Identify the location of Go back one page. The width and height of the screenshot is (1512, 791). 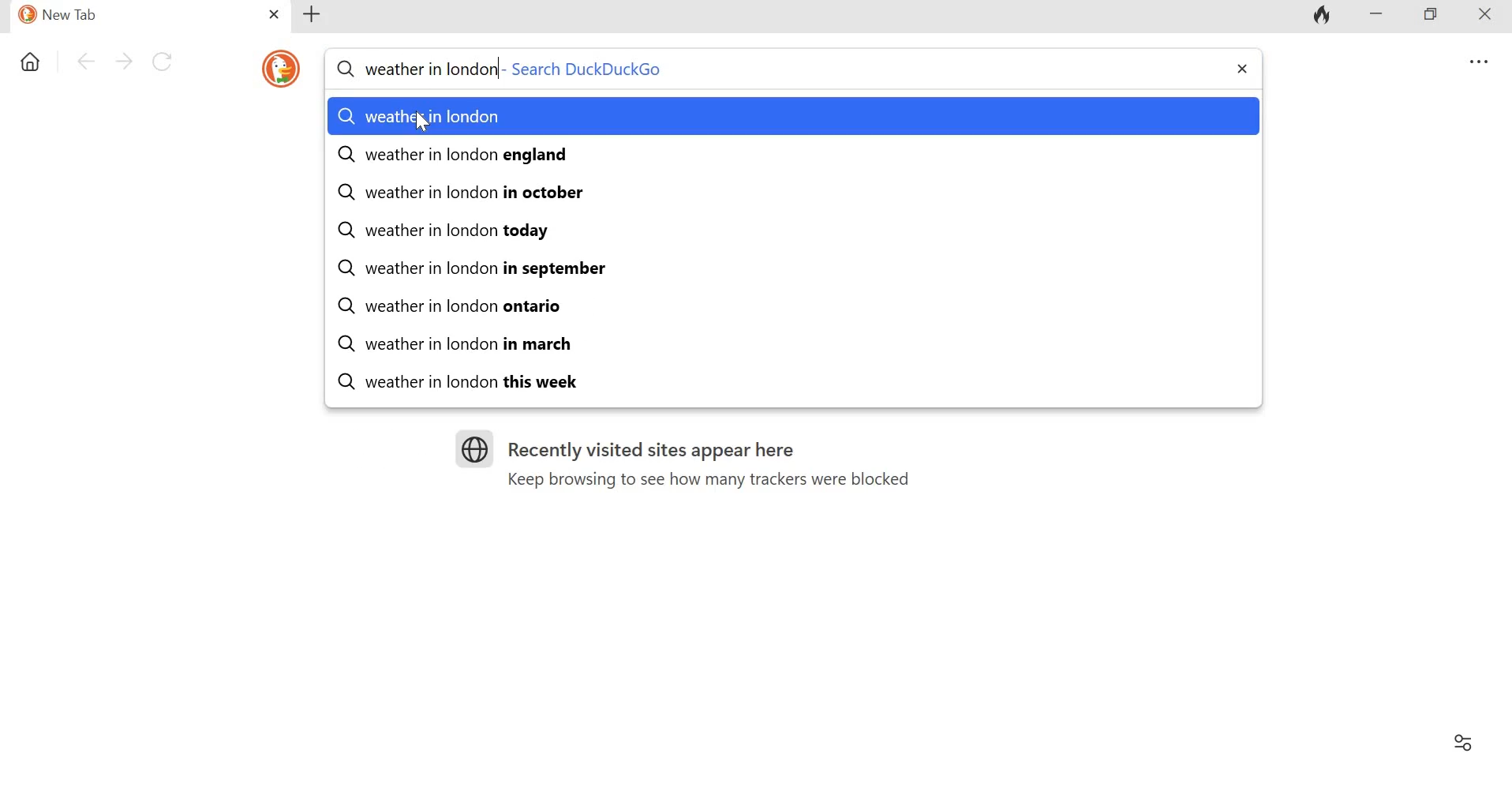
(84, 62).